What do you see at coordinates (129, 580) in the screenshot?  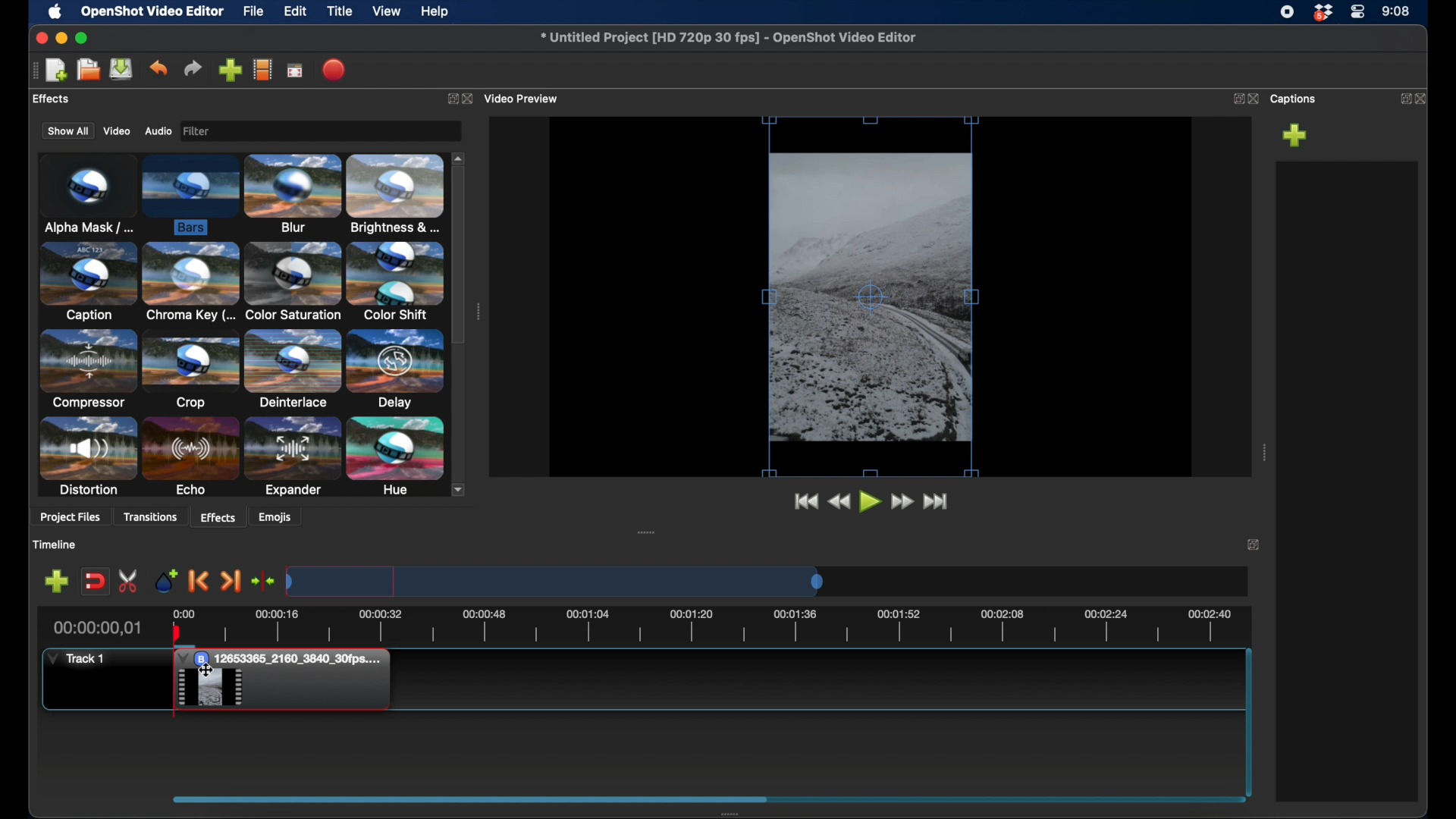 I see `enable razor` at bounding box center [129, 580].